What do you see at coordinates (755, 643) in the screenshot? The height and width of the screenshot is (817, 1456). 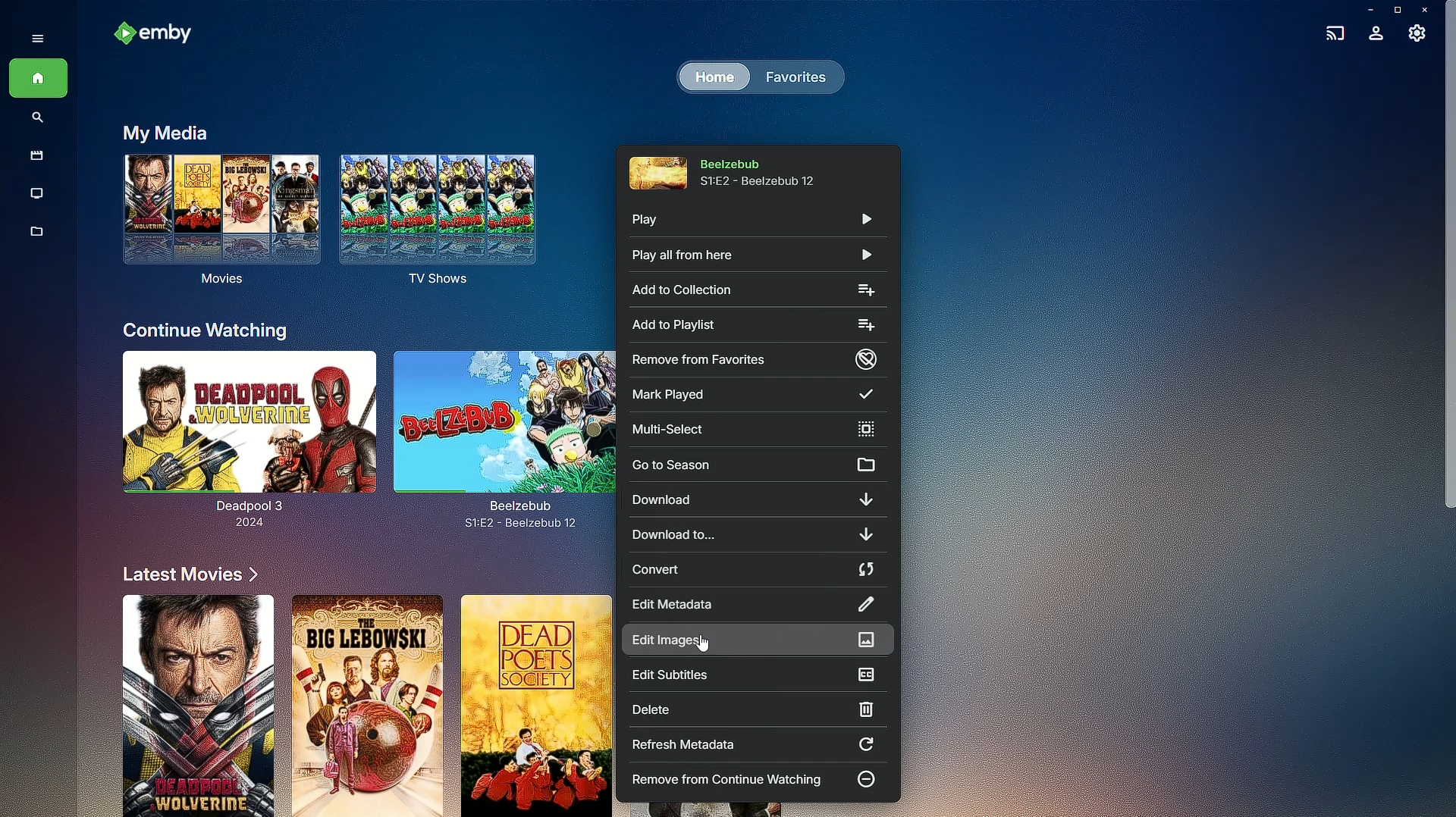 I see `Edit images` at bounding box center [755, 643].